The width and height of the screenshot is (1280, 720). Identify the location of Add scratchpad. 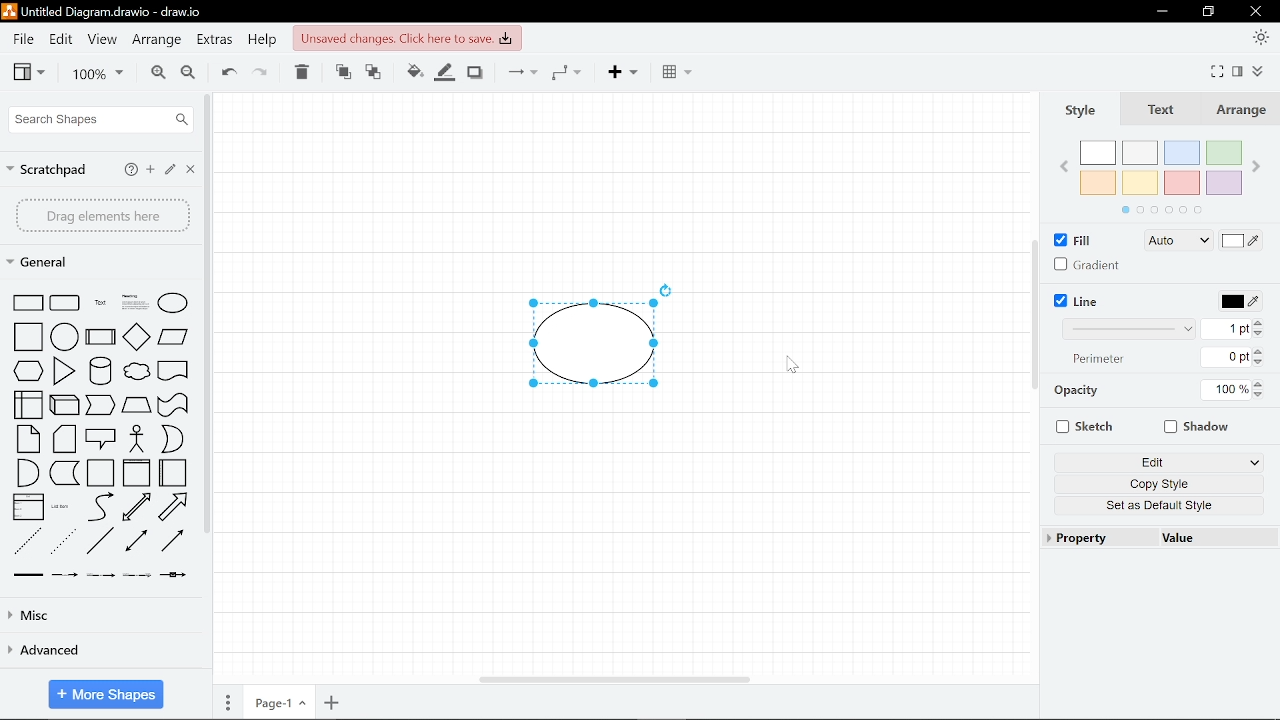
(152, 169).